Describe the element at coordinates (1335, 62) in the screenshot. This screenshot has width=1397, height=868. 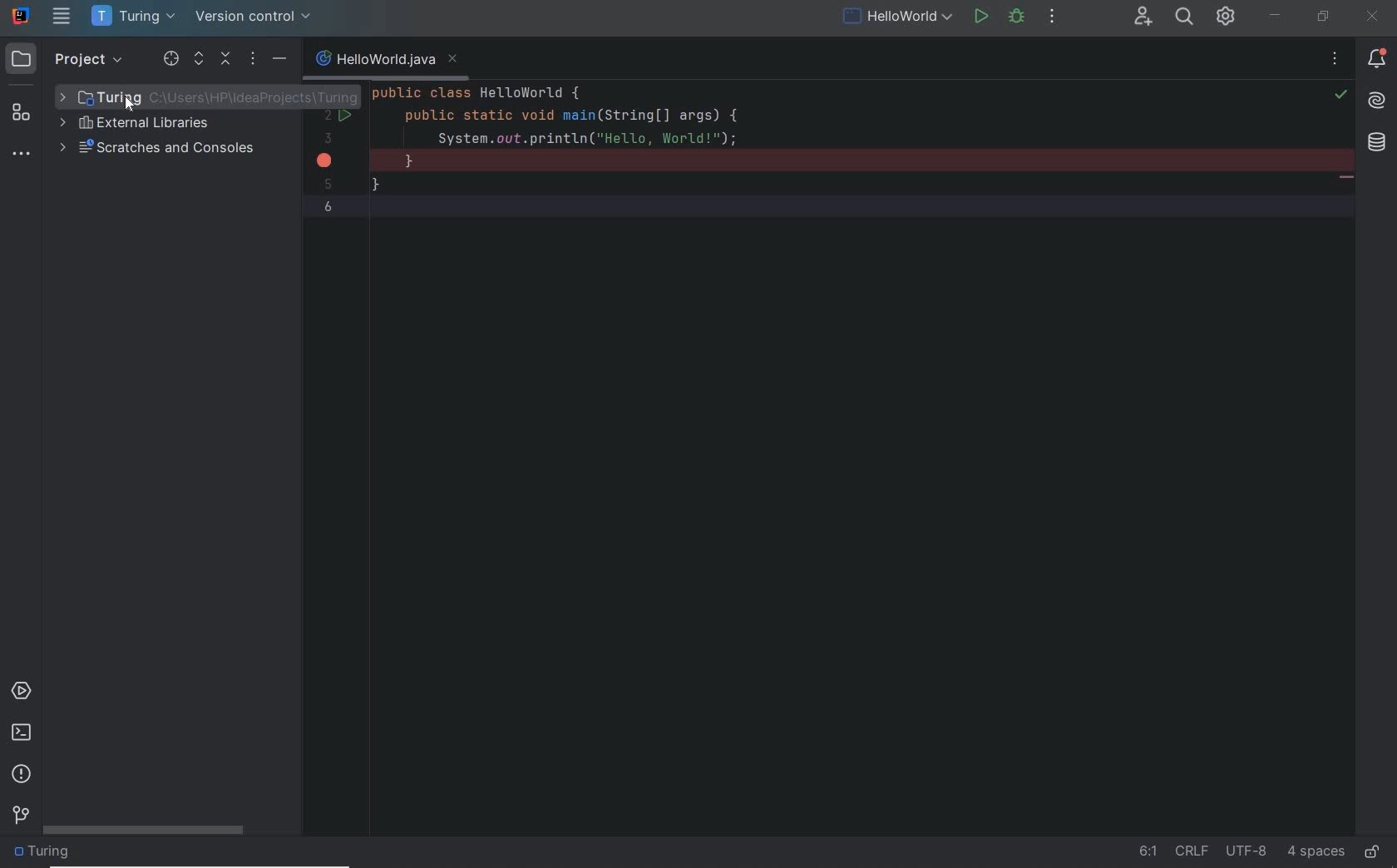
I see `more options` at that location.